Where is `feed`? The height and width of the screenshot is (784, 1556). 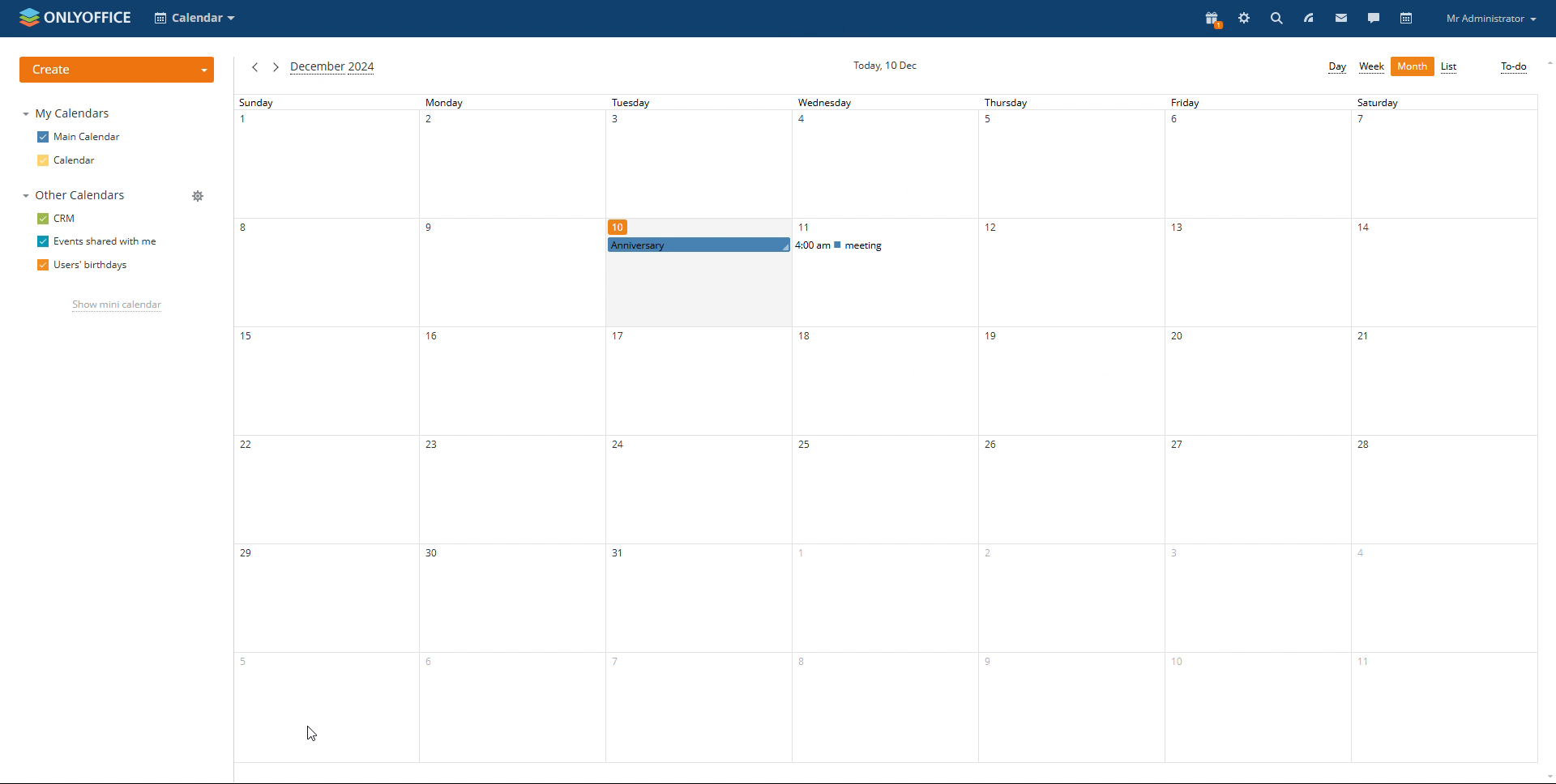
feed is located at coordinates (1310, 17).